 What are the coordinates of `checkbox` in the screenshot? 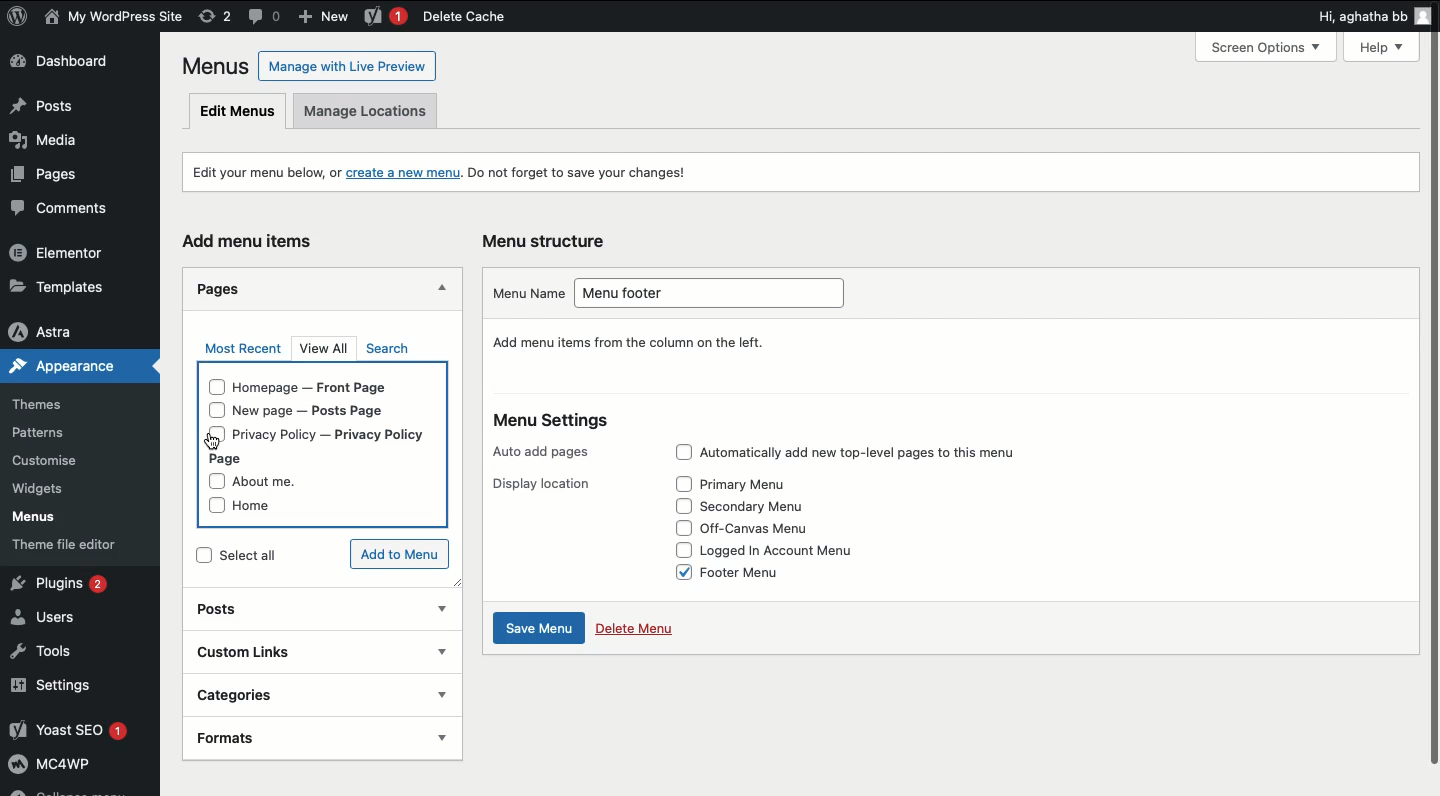 It's located at (214, 481).